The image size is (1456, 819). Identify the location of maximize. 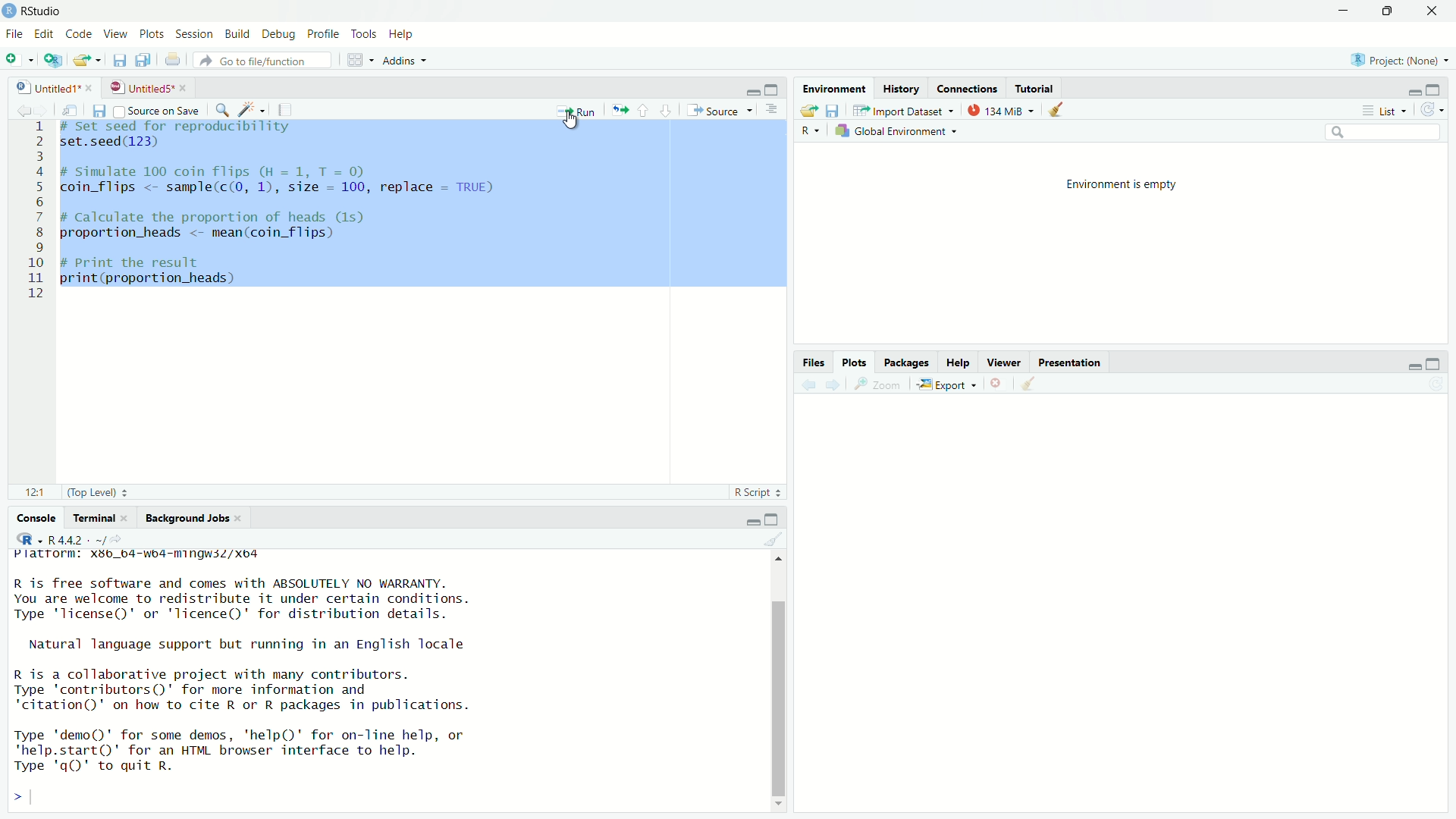
(1388, 10).